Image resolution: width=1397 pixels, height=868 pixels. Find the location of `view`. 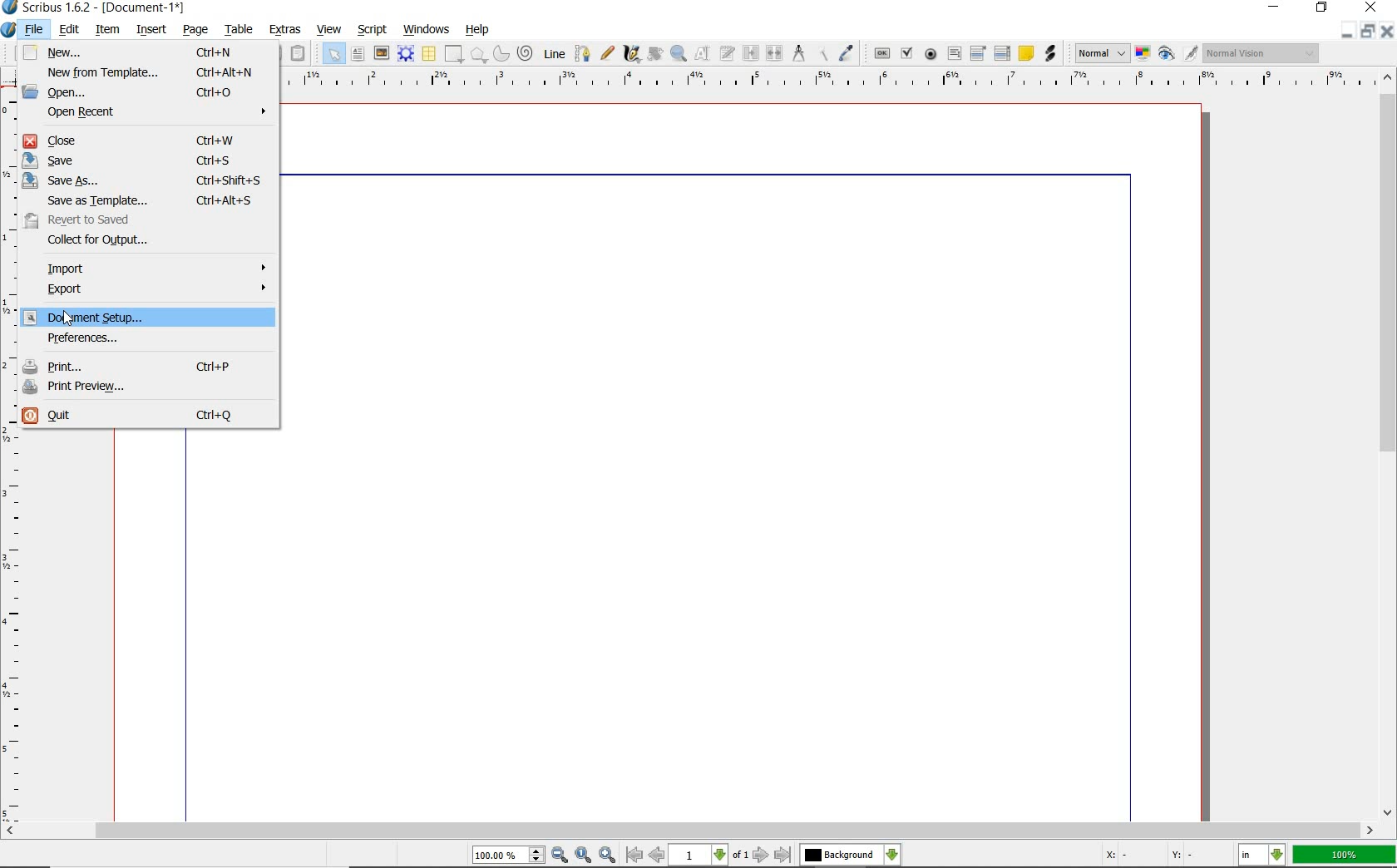

view is located at coordinates (328, 29).